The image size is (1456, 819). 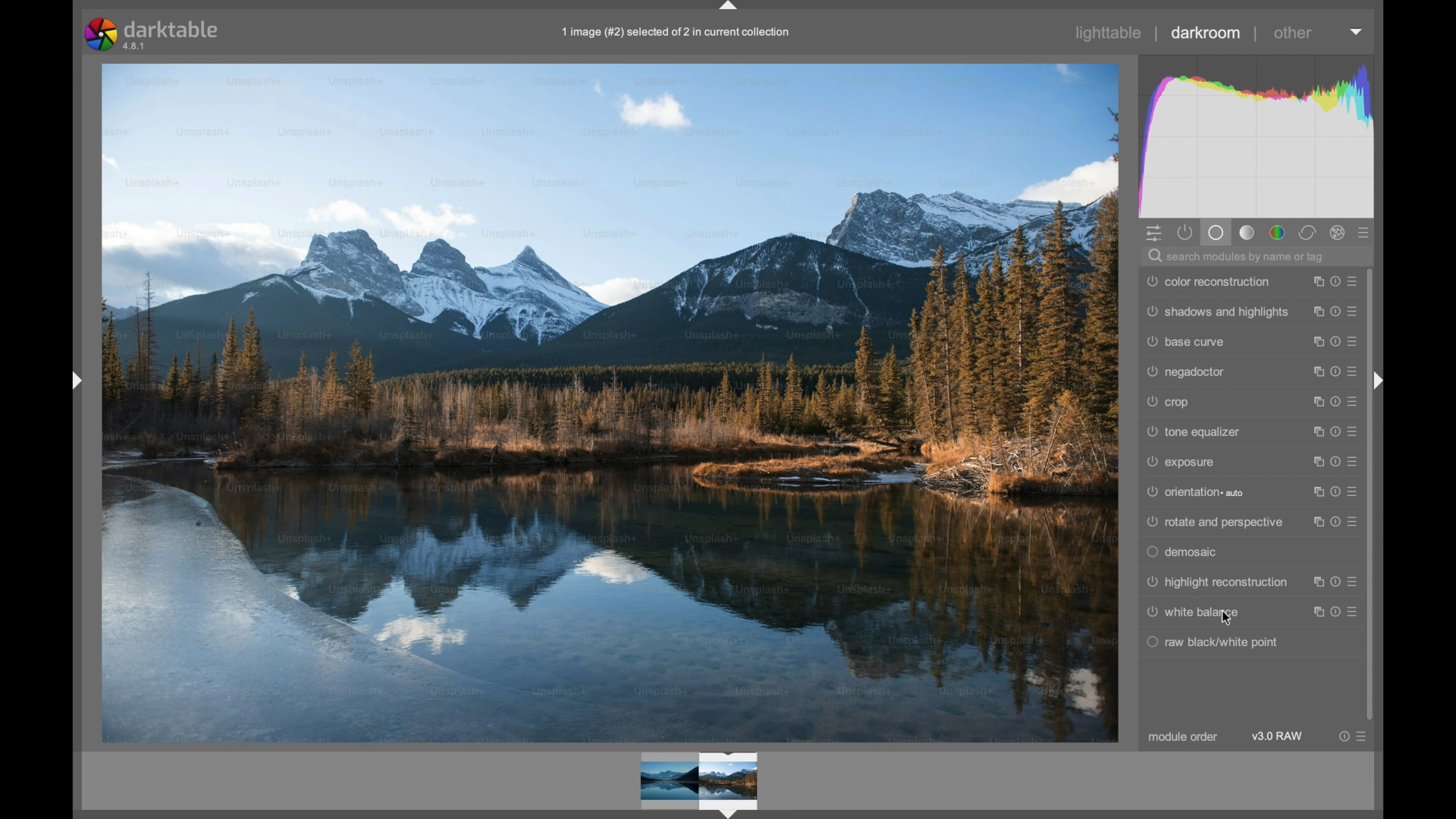 I want to click on quick access panel, so click(x=1154, y=234).